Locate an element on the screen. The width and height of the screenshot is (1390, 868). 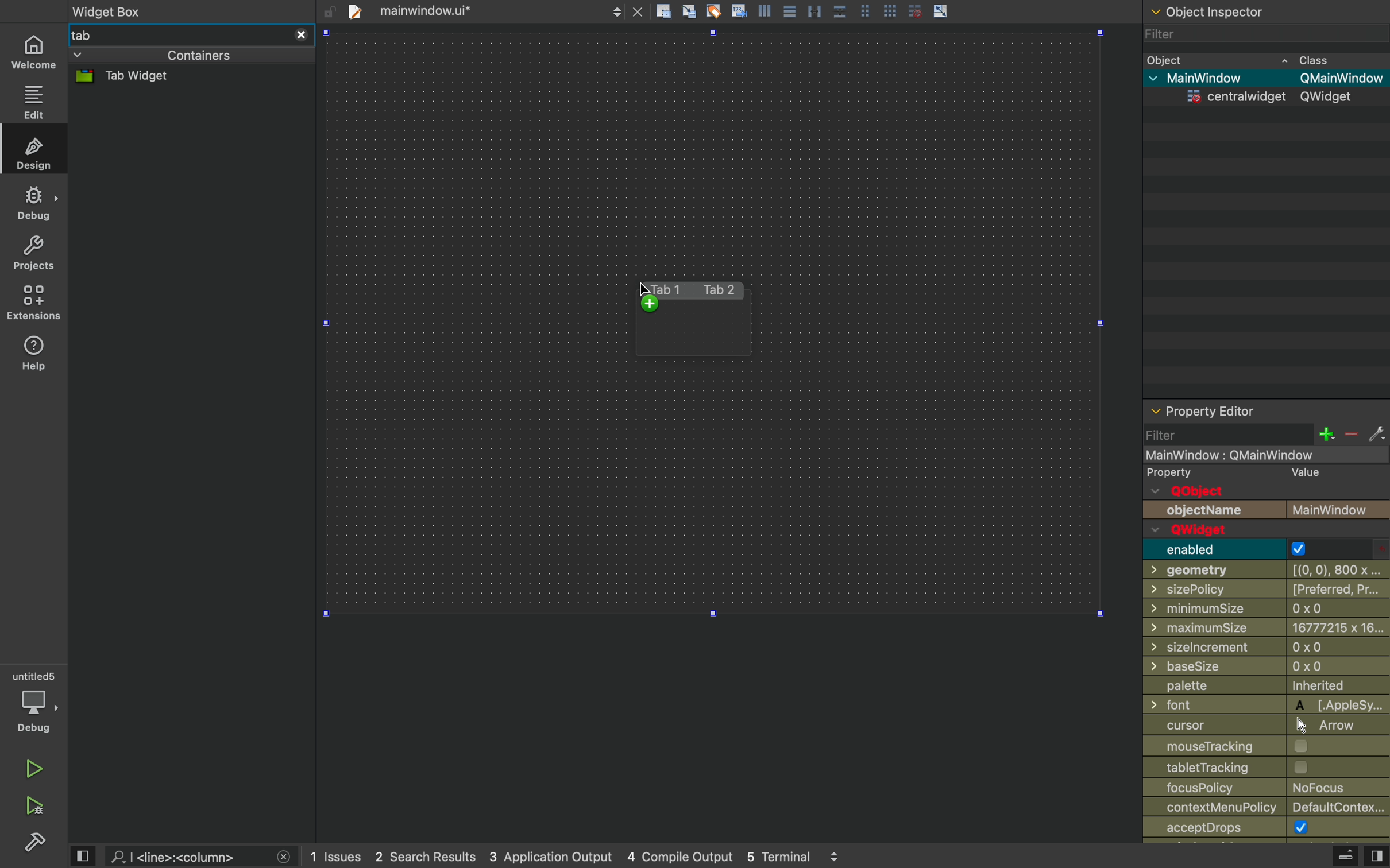
mainwindow is located at coordinates (1266, 455).